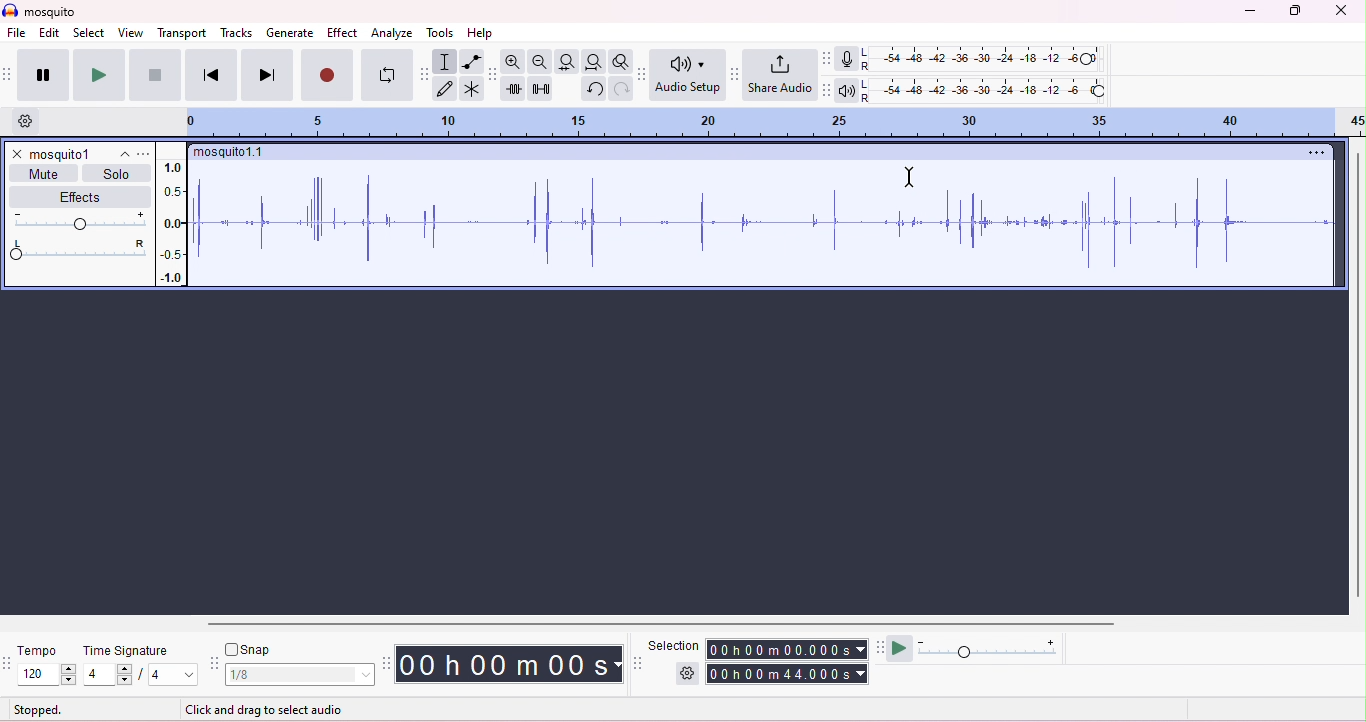 This screenshot has width=1366, height=722. Describe the element at coordinates (734, 74) in the screenshot. I see `share audio tool bar` at that location.